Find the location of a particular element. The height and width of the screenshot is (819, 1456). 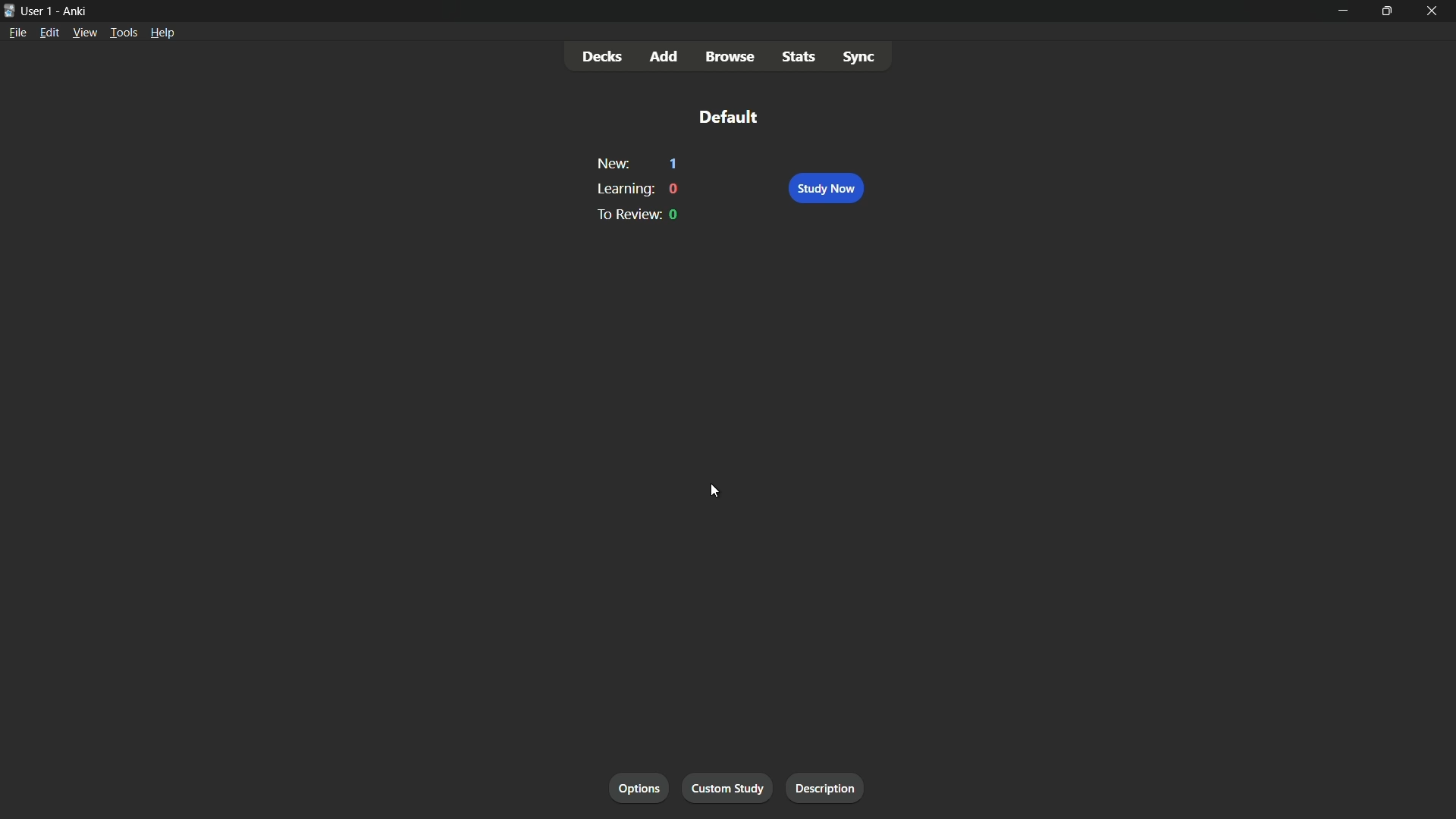

study now is located at coordinates (827, 189).